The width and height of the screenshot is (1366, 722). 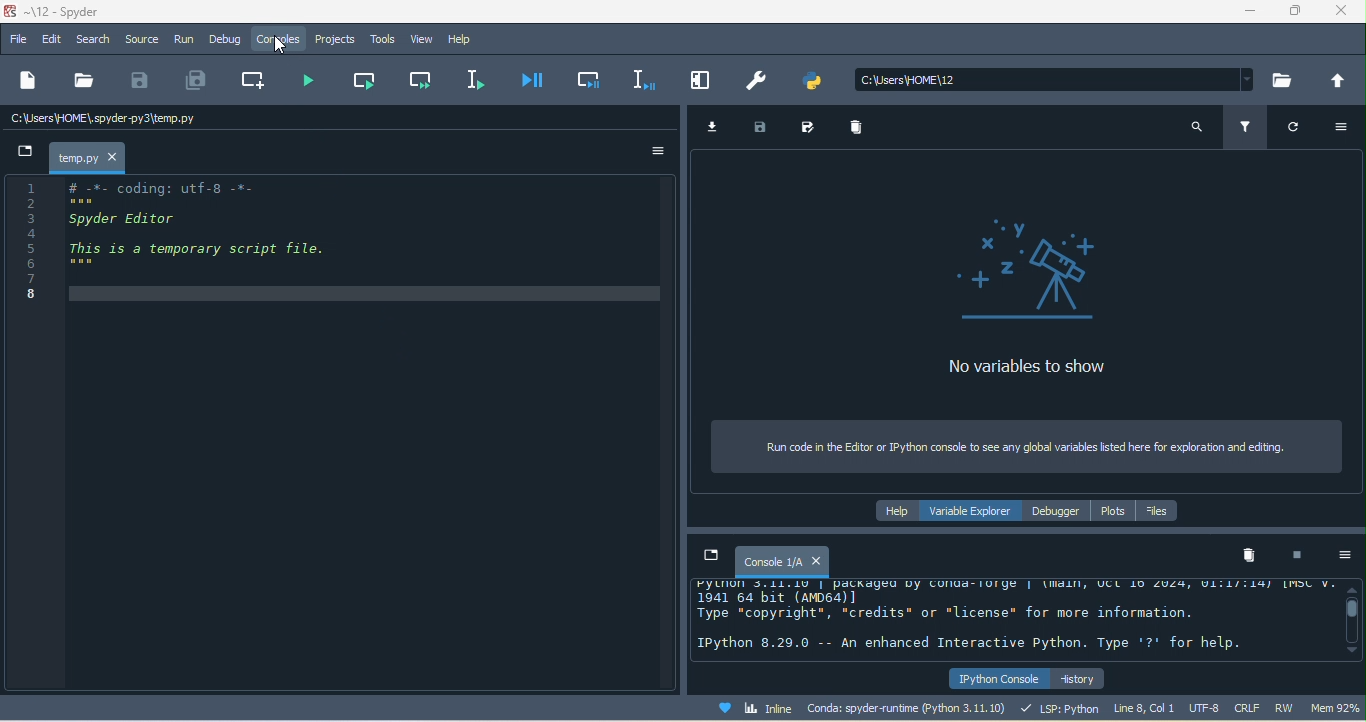 I want to click on preference, so click(x=760, y=81).